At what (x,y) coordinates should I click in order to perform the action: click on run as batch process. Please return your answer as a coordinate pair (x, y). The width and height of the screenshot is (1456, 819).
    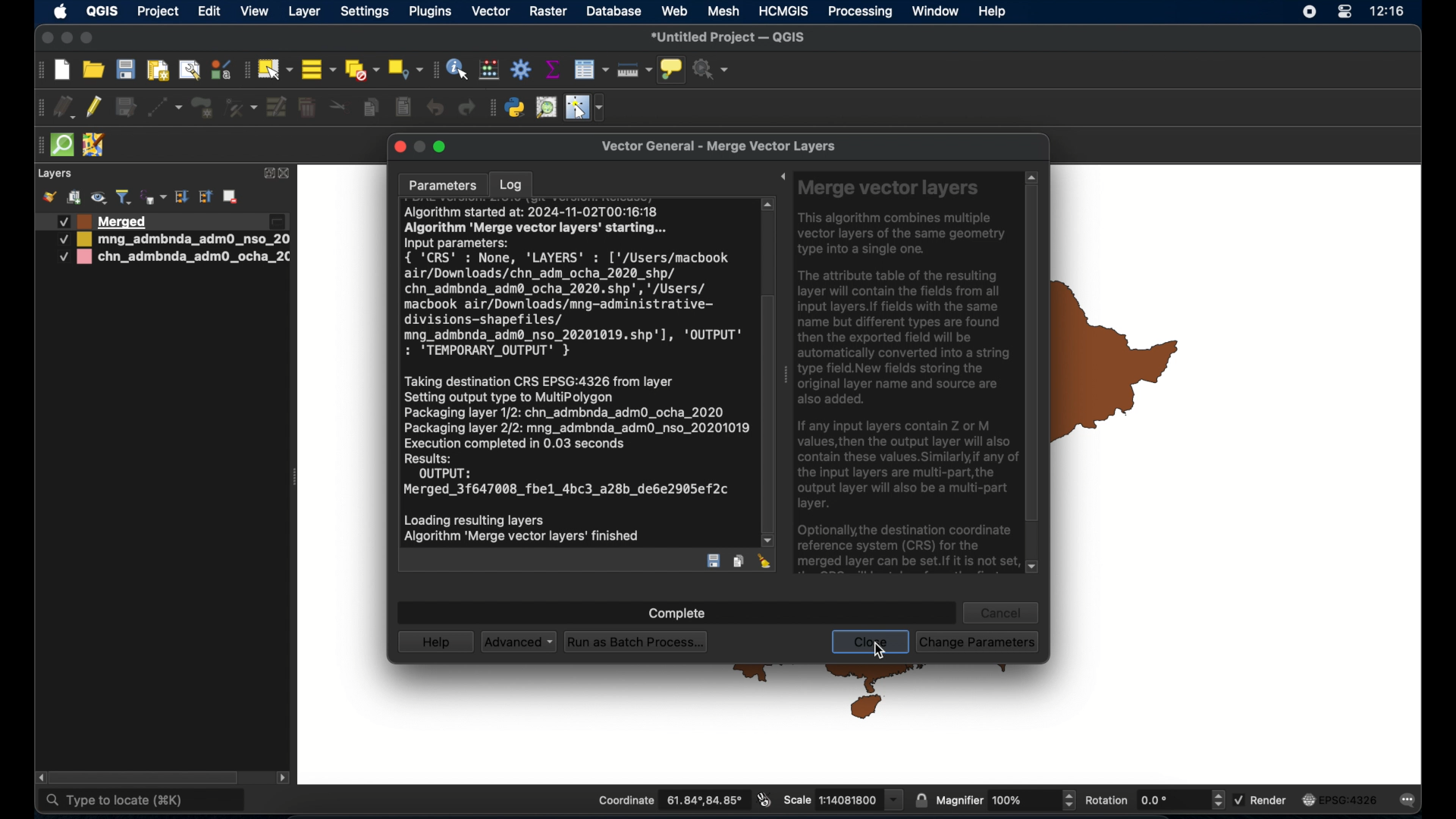
    Looking at the image, I should click on (637, 643).